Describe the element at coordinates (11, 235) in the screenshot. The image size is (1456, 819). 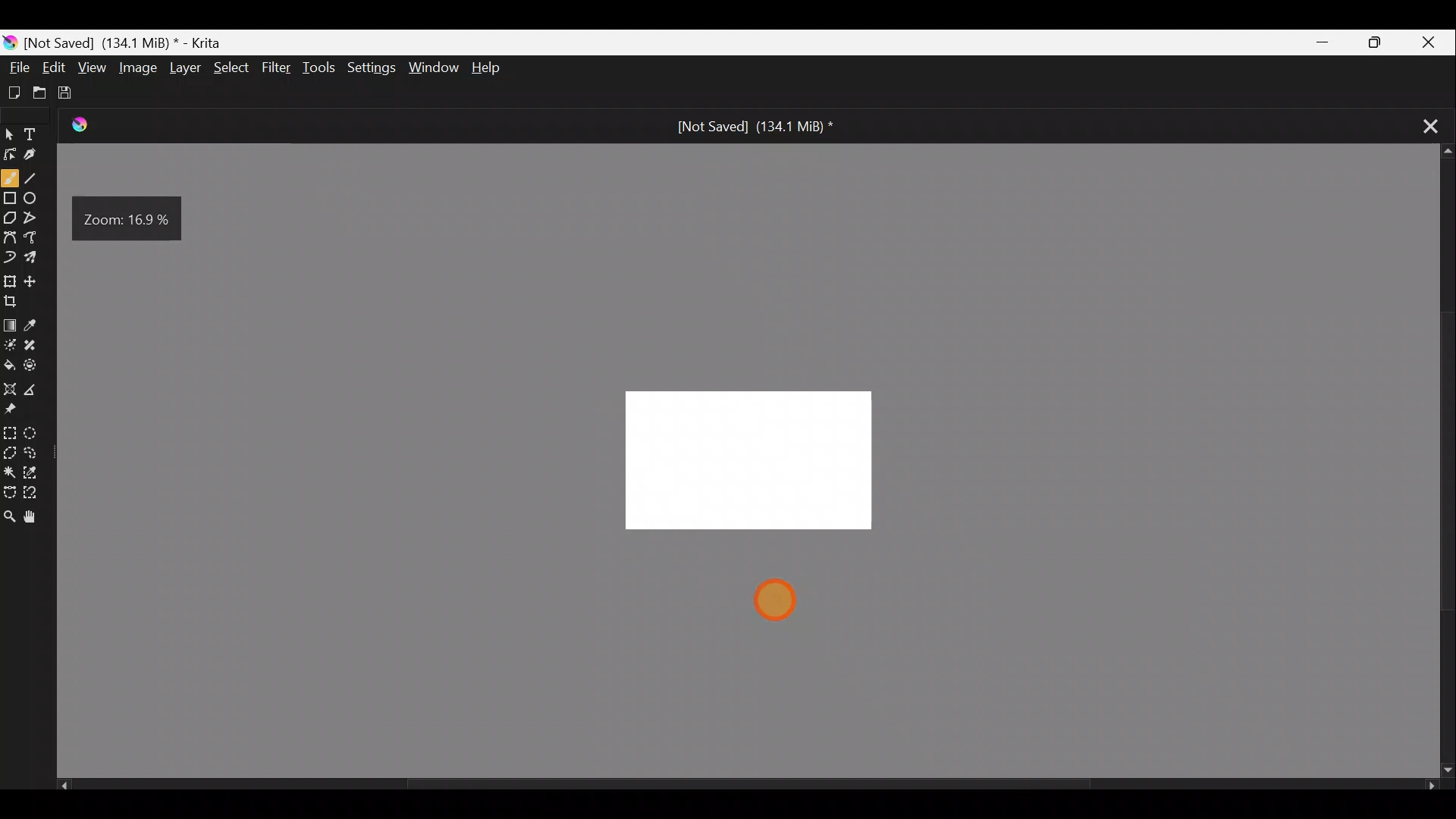
I see `Bezier curve tool` at that location.